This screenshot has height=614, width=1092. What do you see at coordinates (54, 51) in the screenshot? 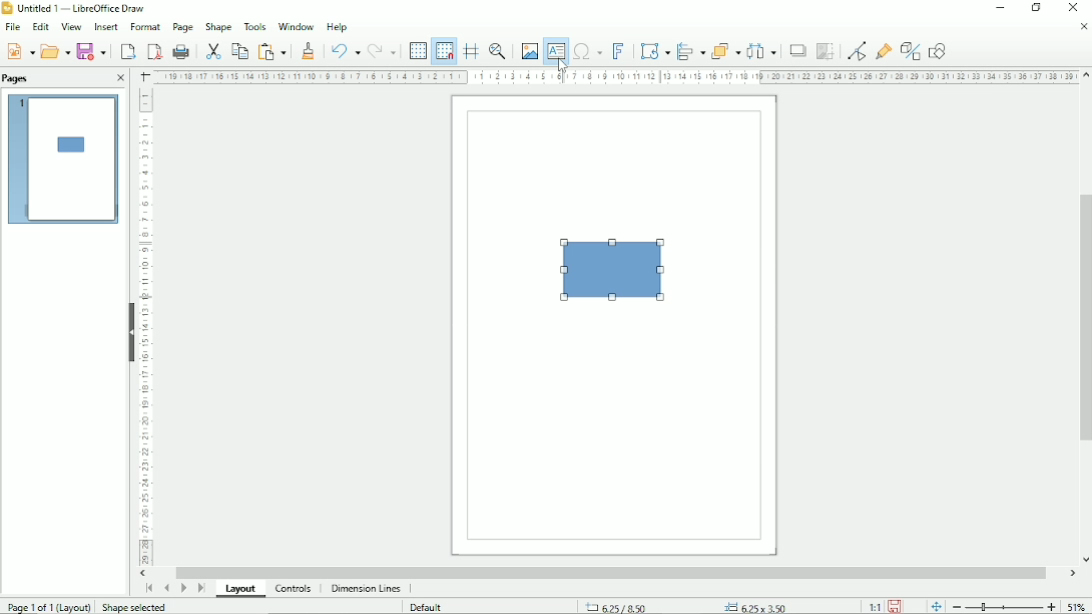
I see `Open` at bounding box center [54, 51].